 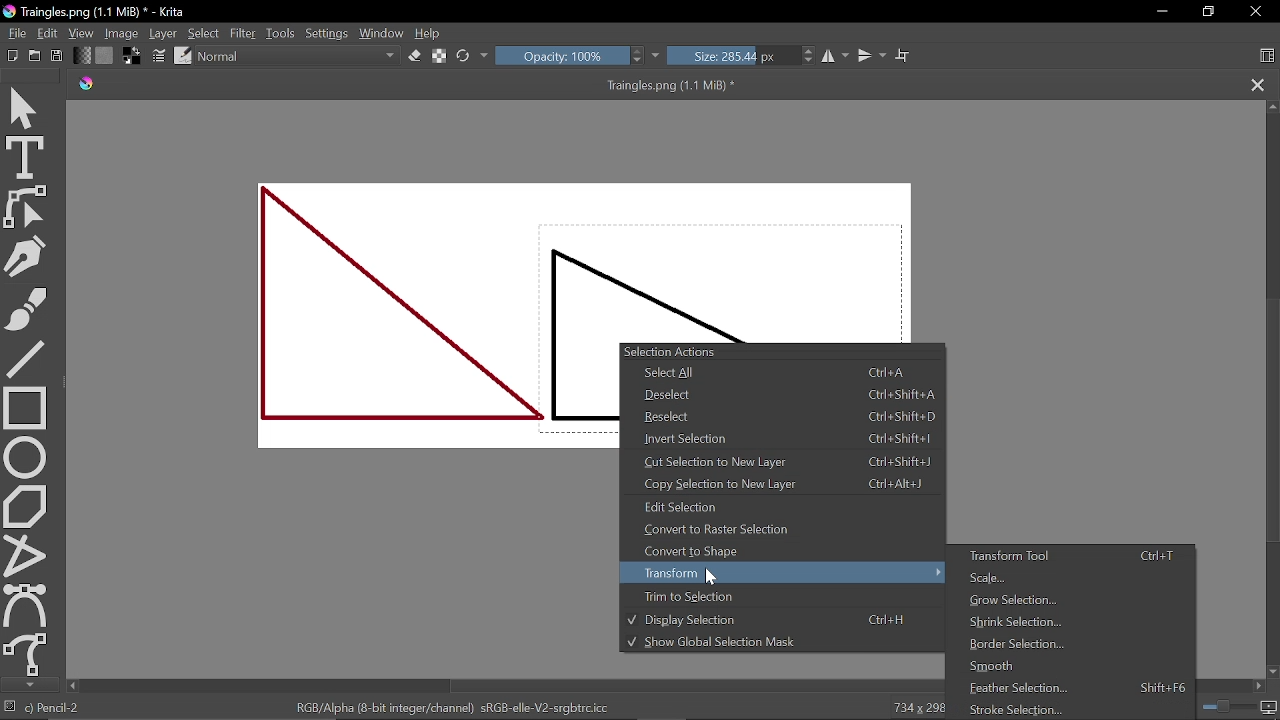 What do you see at coordinates (161, 57) in the screenshot?
I see `Choose brush settings` at bounding box center [161, 57].